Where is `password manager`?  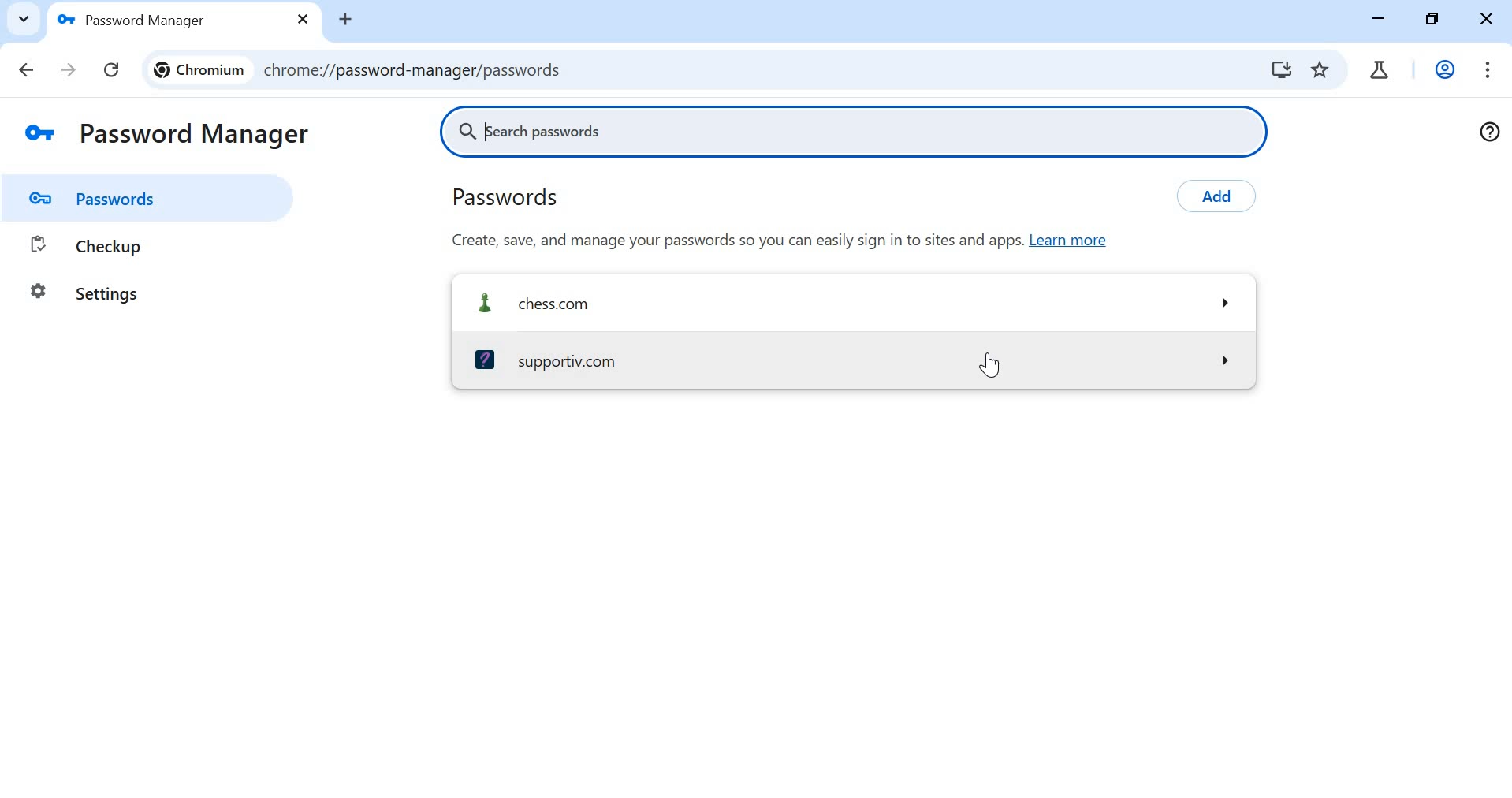
password manager is located at coordinates (180, 17).